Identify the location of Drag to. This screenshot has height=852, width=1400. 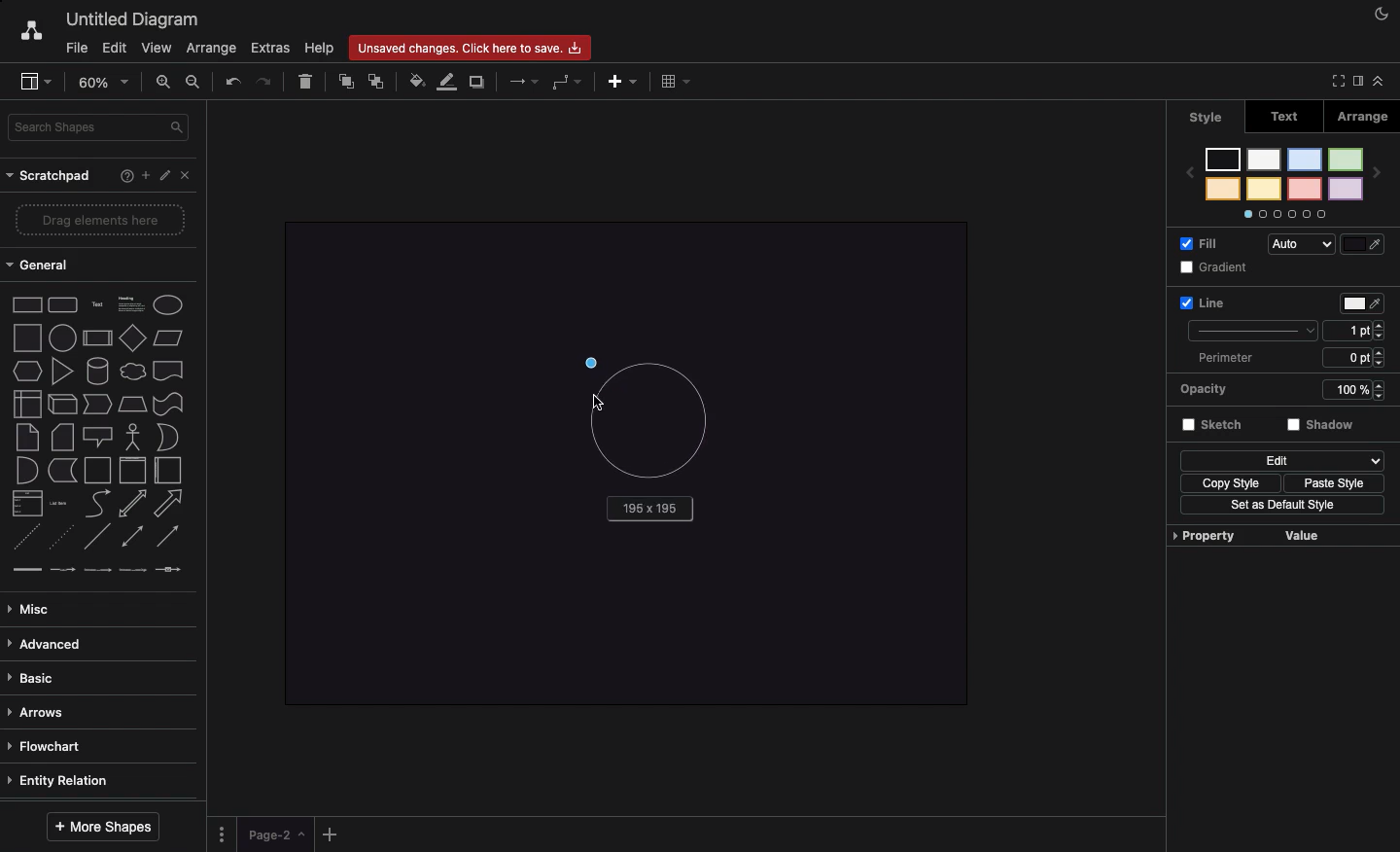
(592, 362).